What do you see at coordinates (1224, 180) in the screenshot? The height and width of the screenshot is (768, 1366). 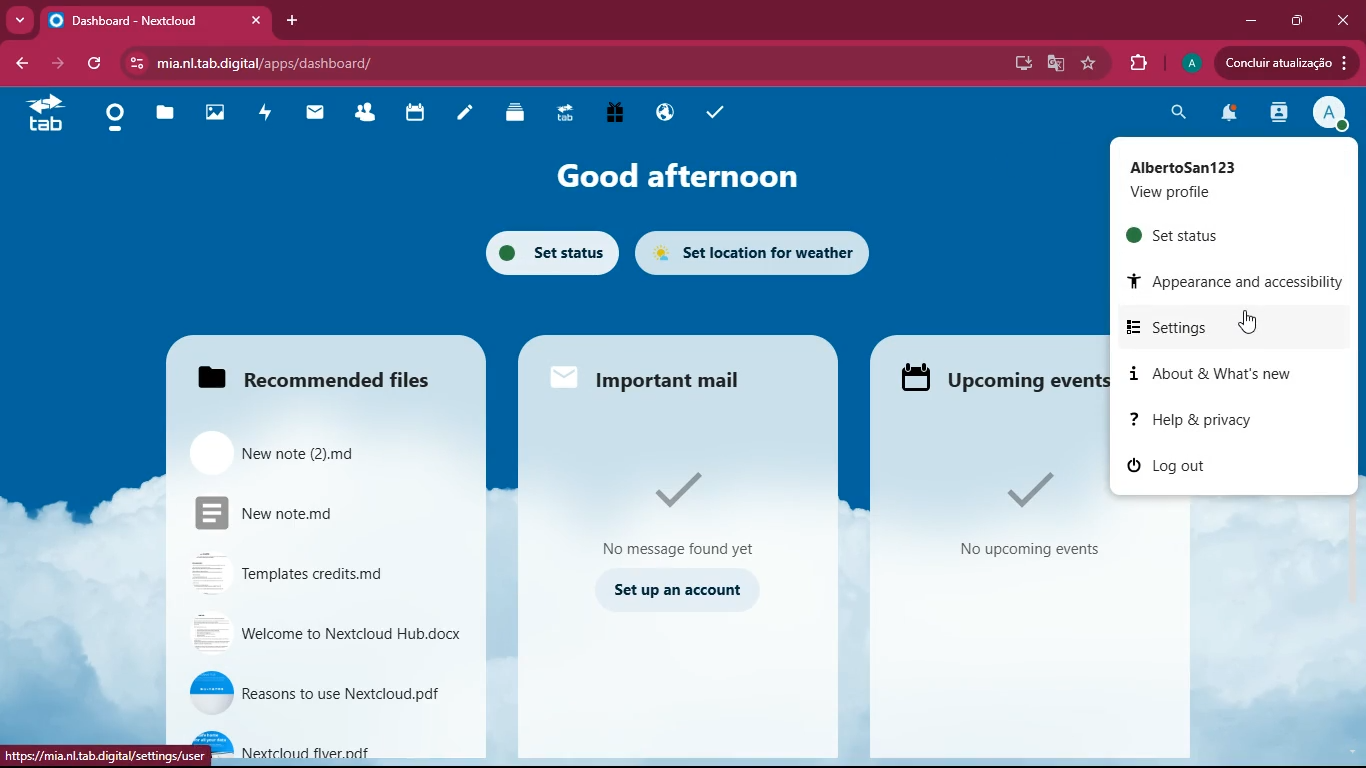 I see `profile` at bounding box center [1224, 180].